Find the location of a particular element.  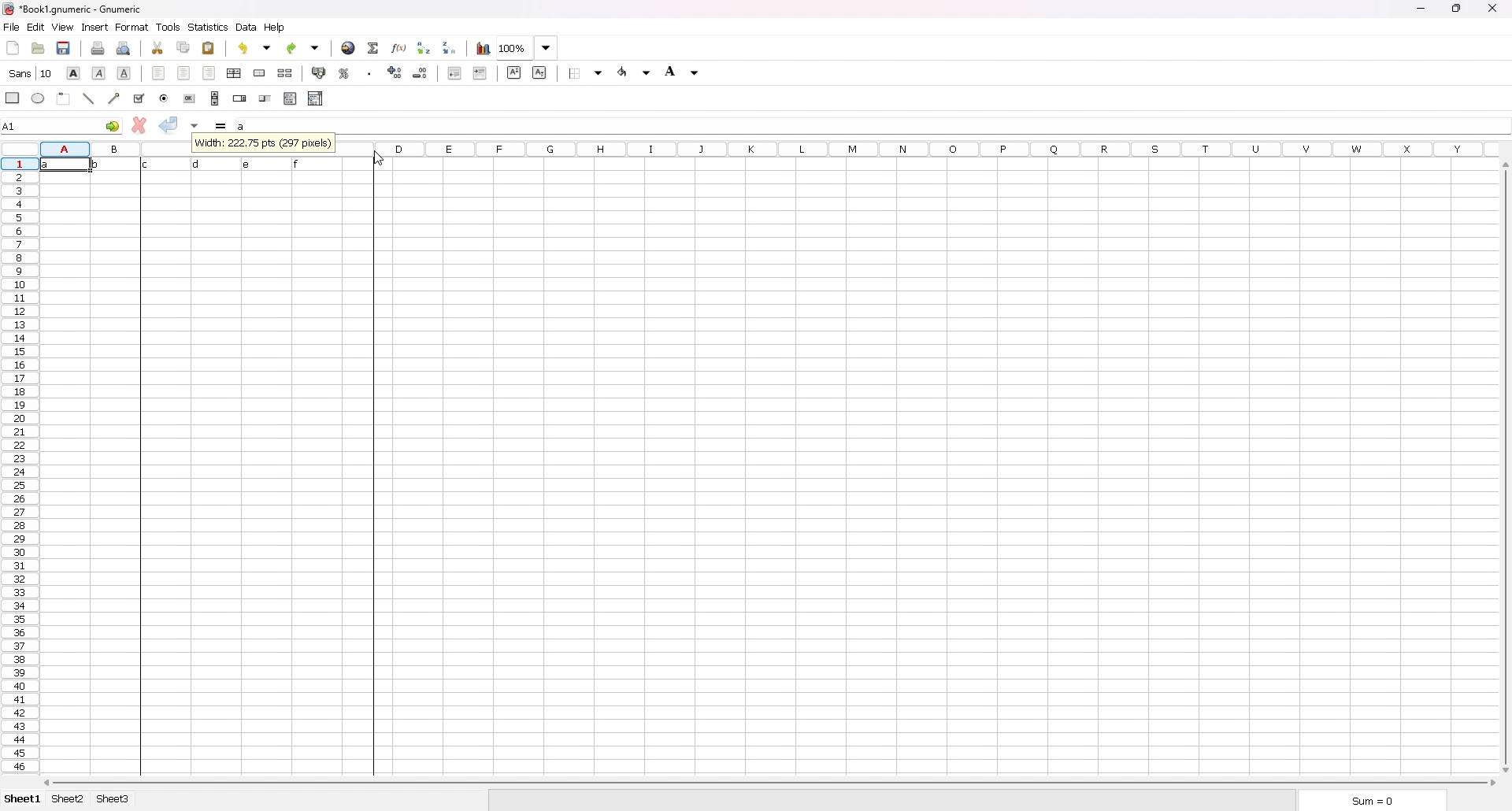

open is located at coordinates (38, 47).